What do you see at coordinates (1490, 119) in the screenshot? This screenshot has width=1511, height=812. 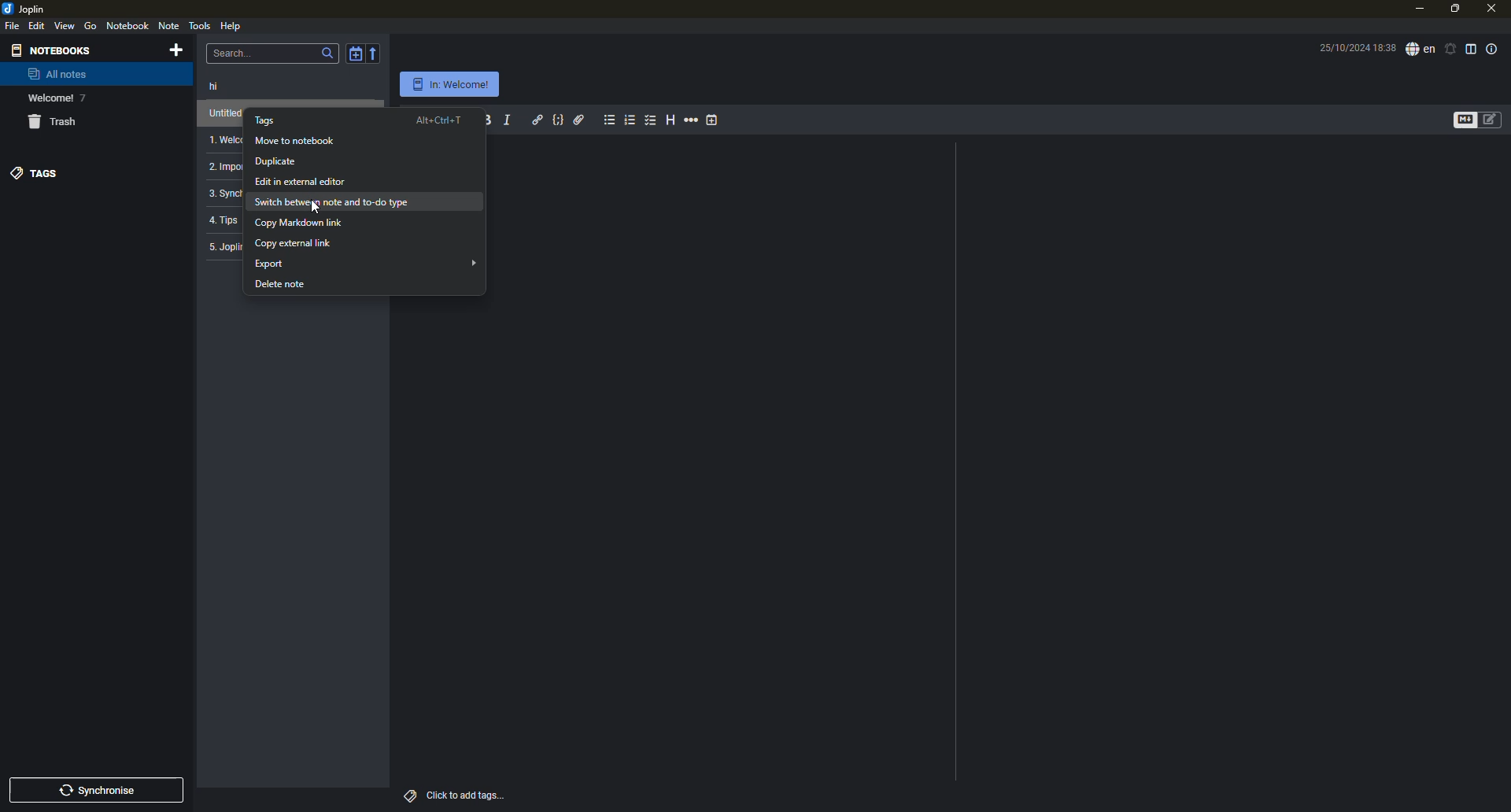 I see `toggle editors` at bounding box center [1490, 119].